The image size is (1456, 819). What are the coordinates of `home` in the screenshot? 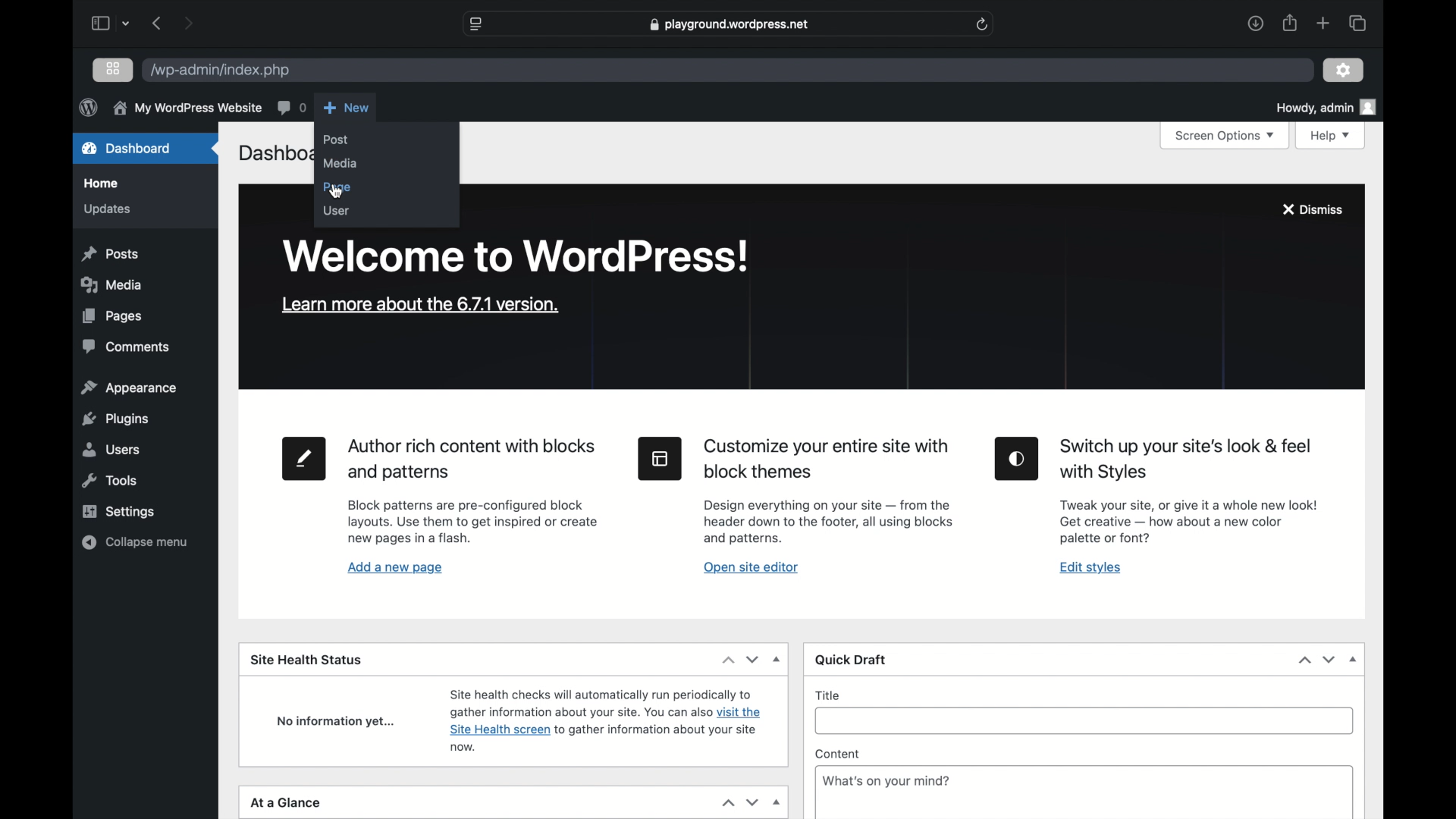 It's located at (101, 184).